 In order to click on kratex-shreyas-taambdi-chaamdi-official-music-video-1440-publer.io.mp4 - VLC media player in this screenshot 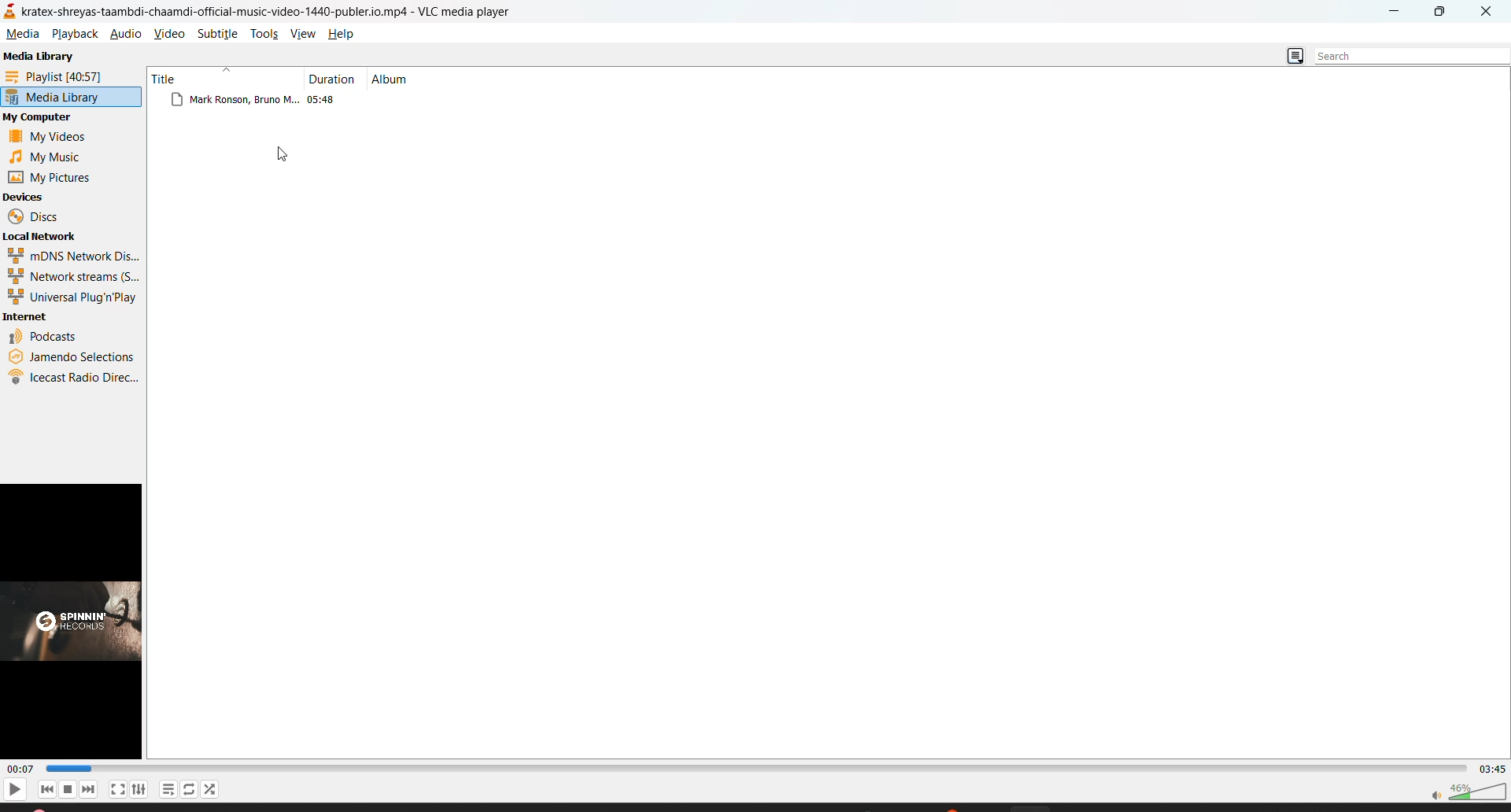, I will do `click(287, 9)`.